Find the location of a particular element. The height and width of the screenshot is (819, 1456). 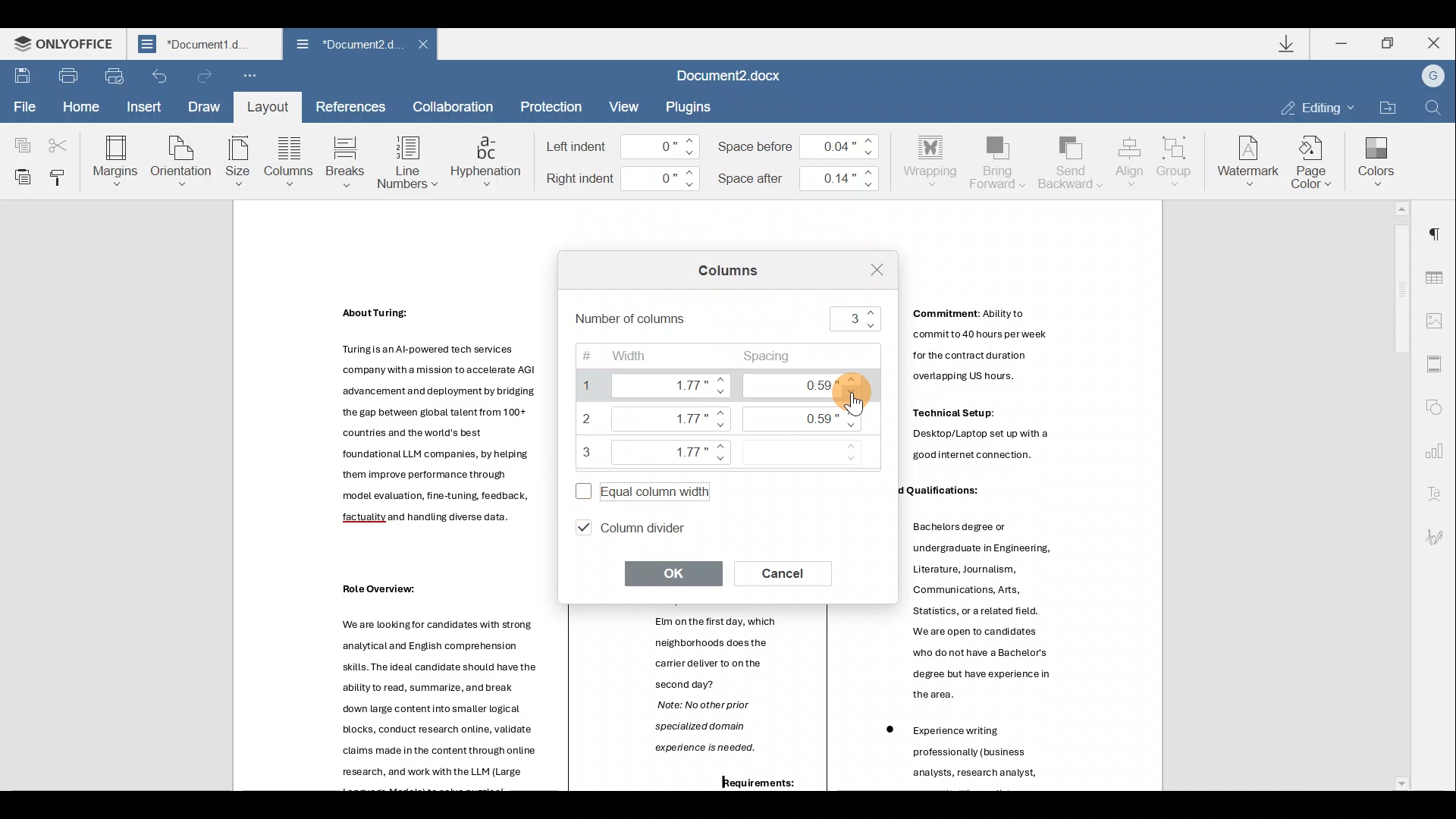

Page color is located at coordinates (1315, 159).